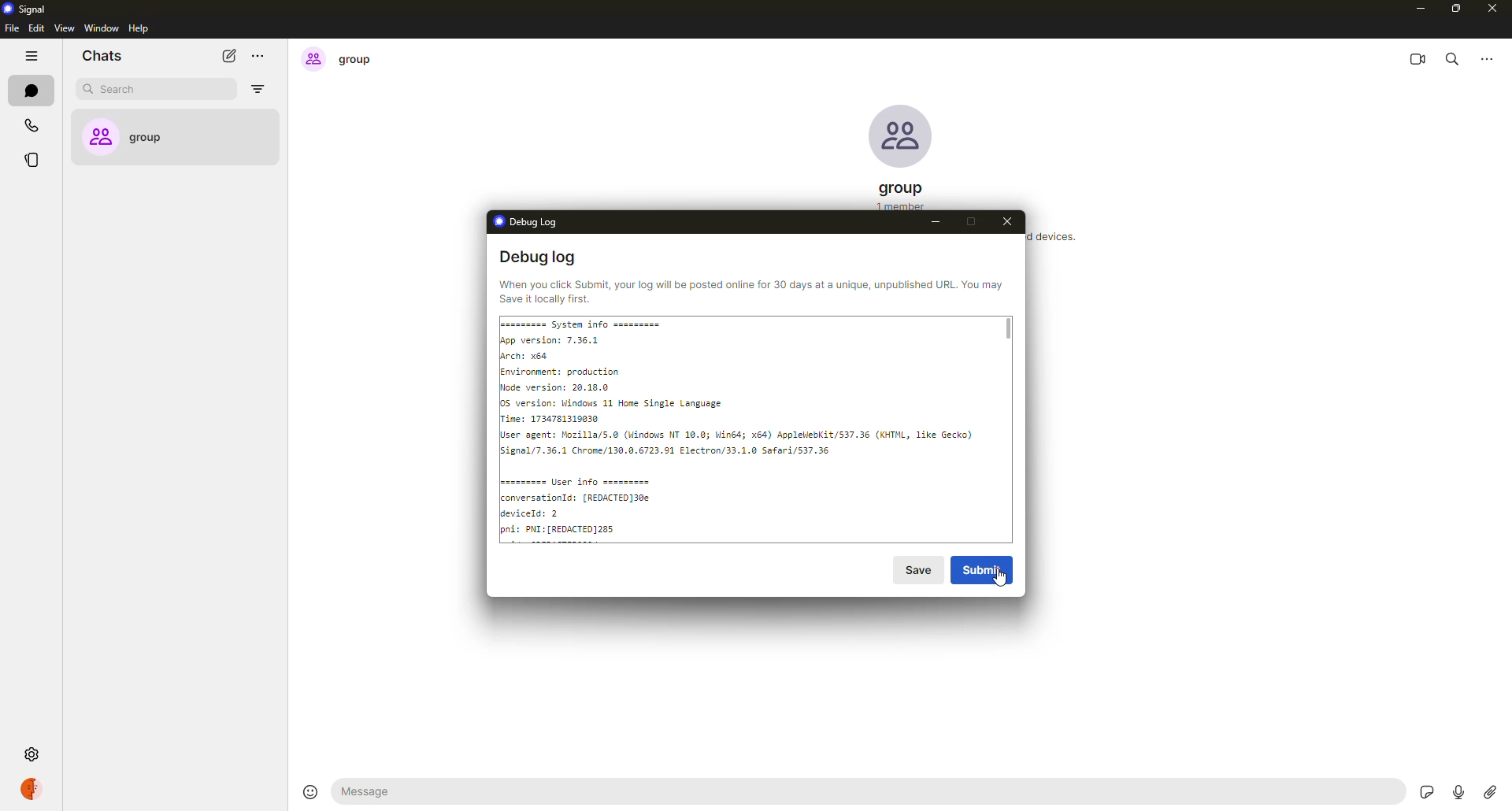 This screenshot has width=1512, height=811. What do you see at coordinates (138, 29) in the screenshot?
I see `help` at bounding box center [138, 29].